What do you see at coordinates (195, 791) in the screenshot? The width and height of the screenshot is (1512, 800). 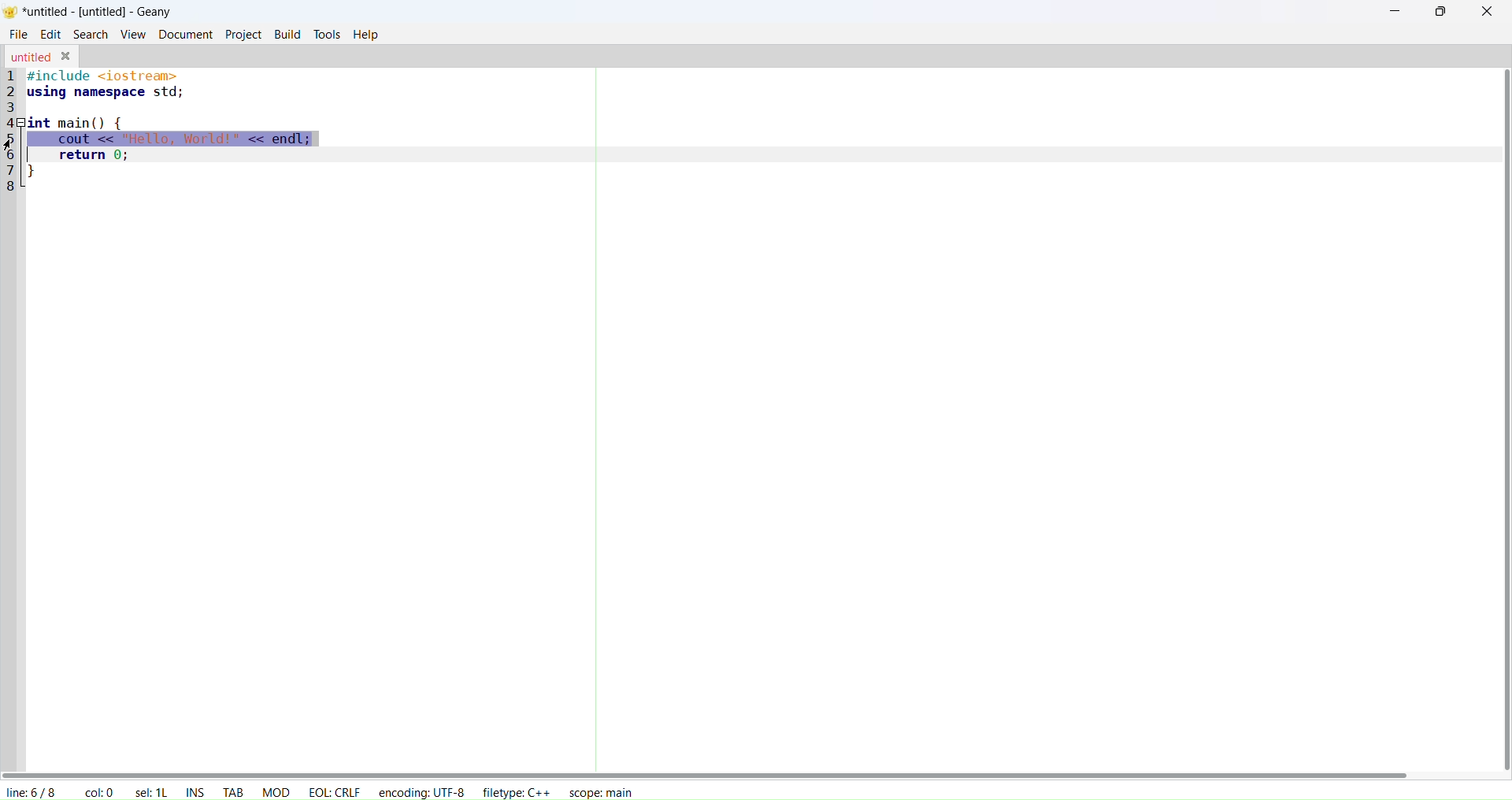 I see `ins` at bounding box center [195, 791].